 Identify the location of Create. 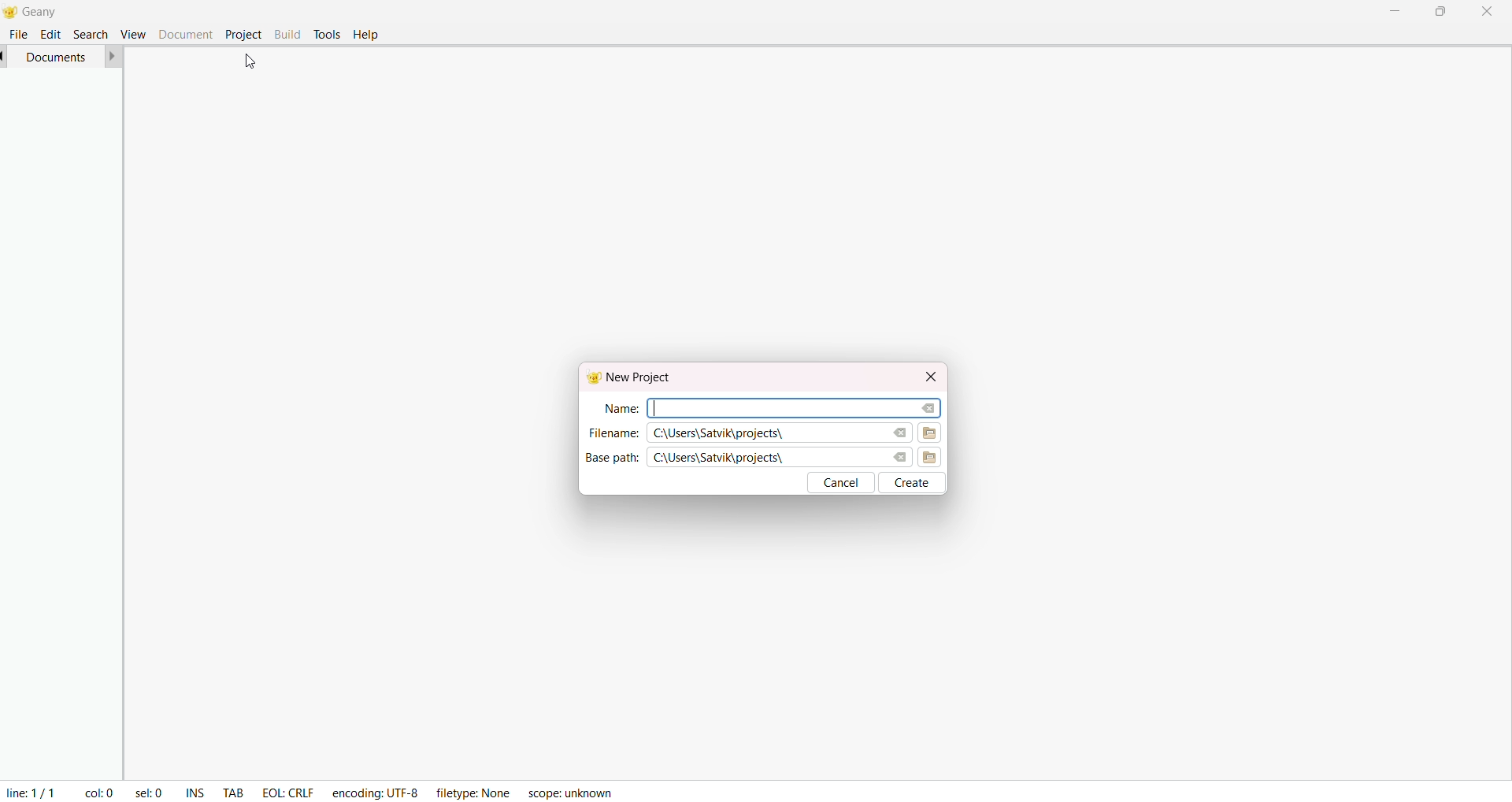
(916, 482).